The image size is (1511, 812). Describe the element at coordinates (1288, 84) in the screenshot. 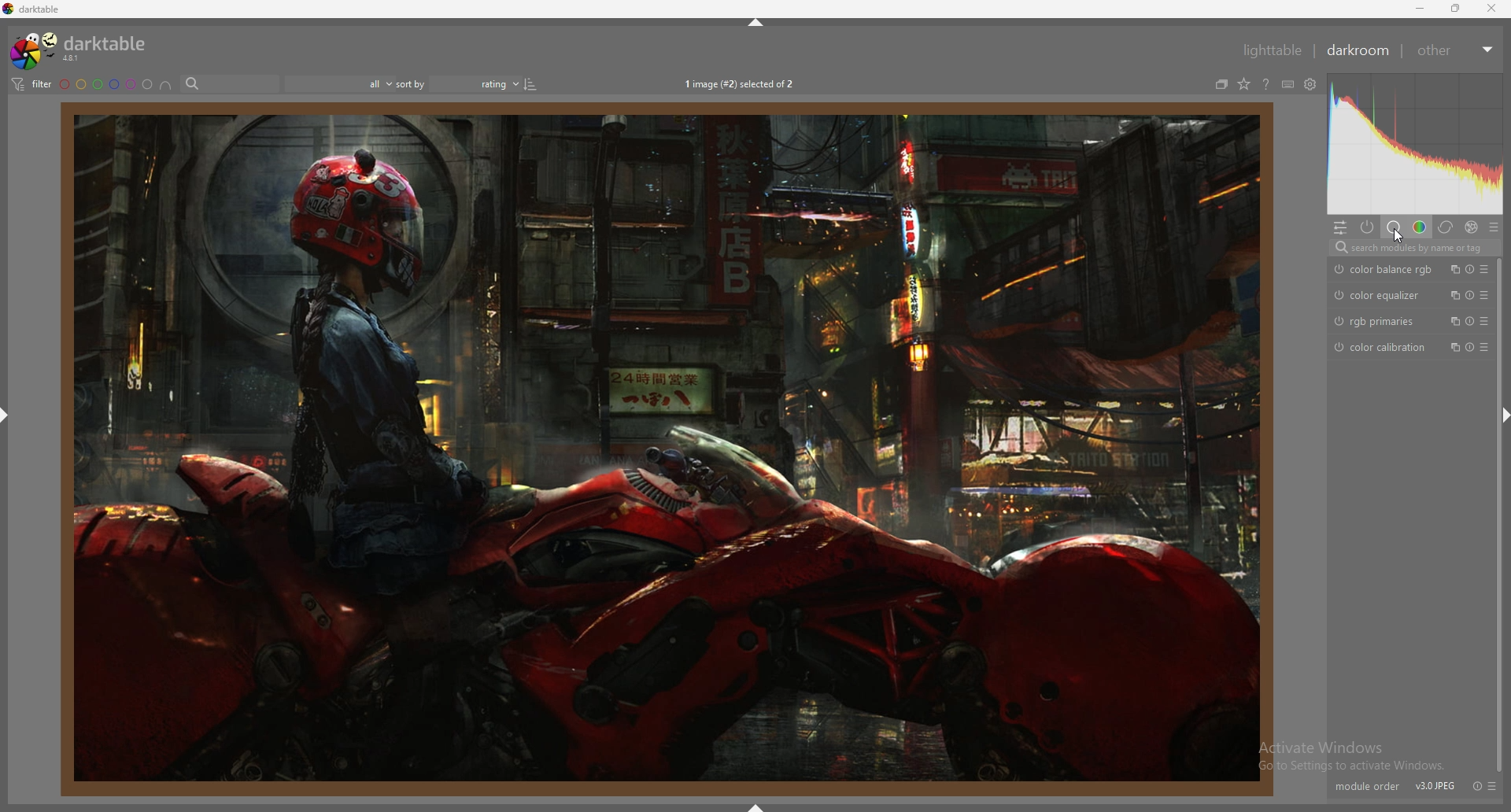

I see `shortcuts` at that location.